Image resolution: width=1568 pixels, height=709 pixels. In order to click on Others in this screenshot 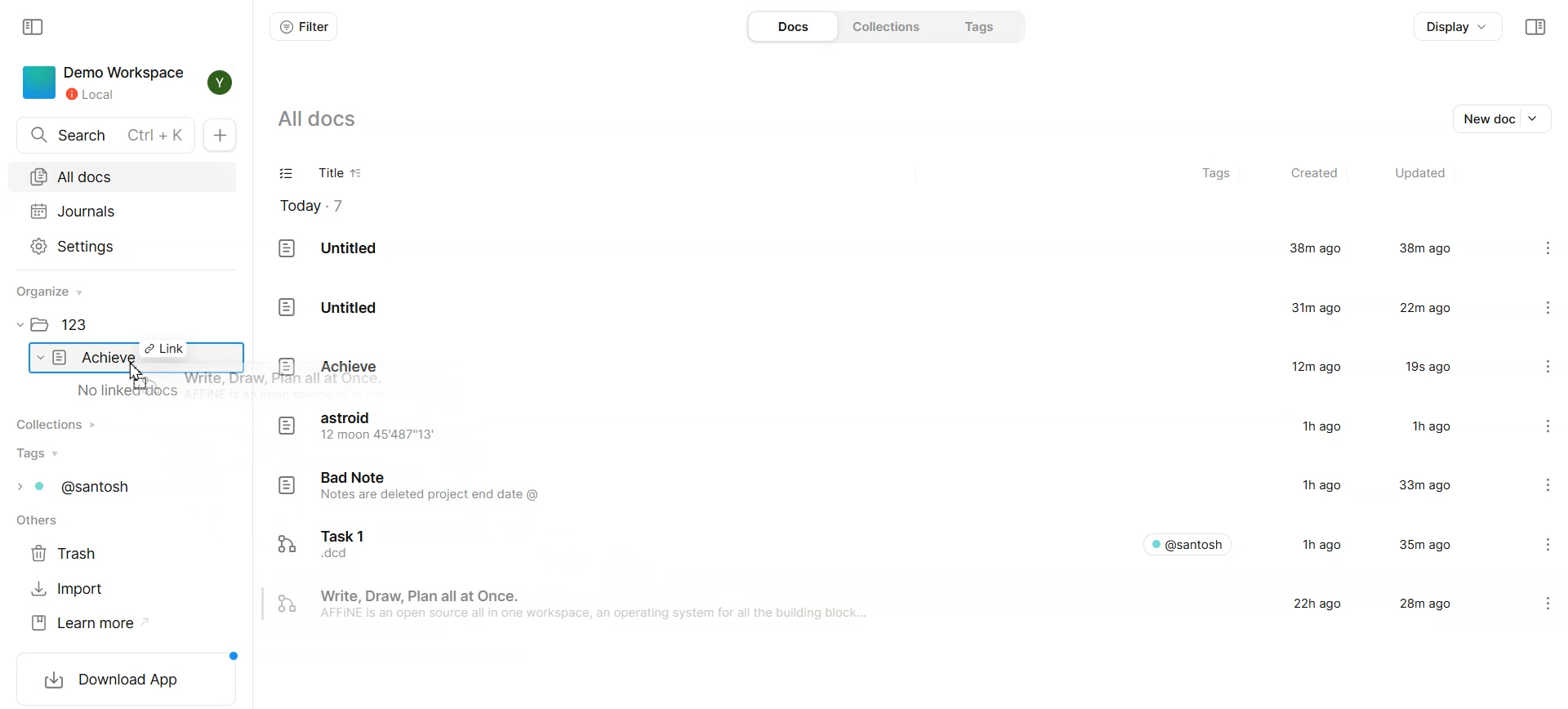, I will do `click(42, 522)`.